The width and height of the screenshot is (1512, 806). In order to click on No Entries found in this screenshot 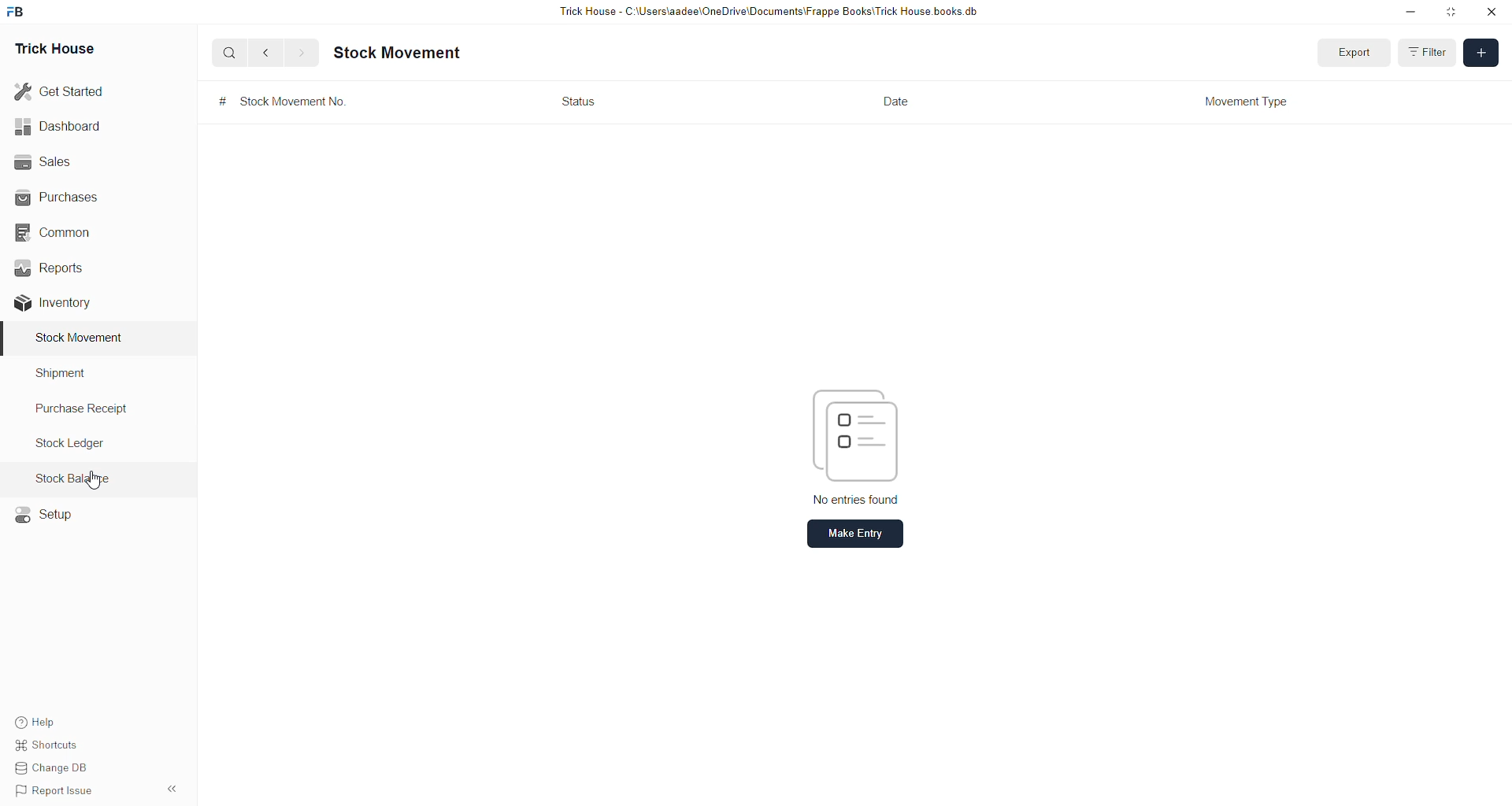, I will do `click(844, 446)`.